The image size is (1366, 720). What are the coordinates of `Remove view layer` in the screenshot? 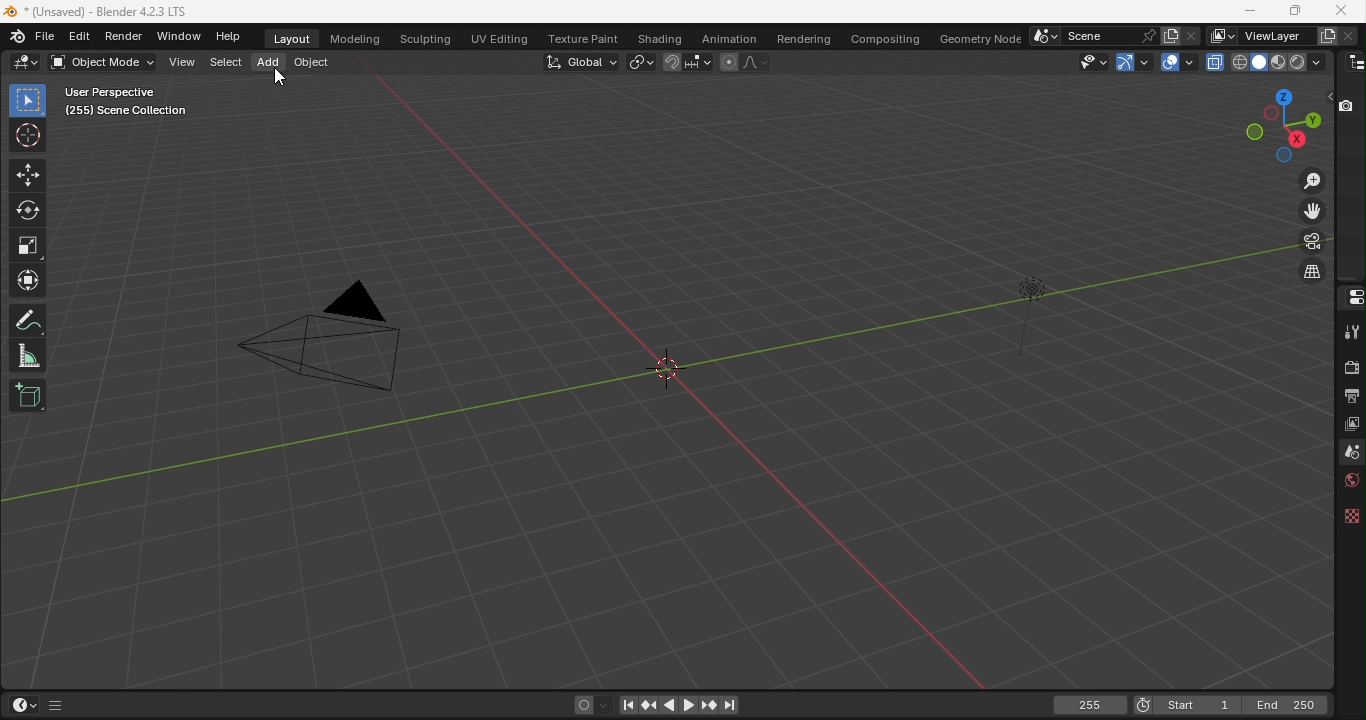 It's located at (1348, 35).